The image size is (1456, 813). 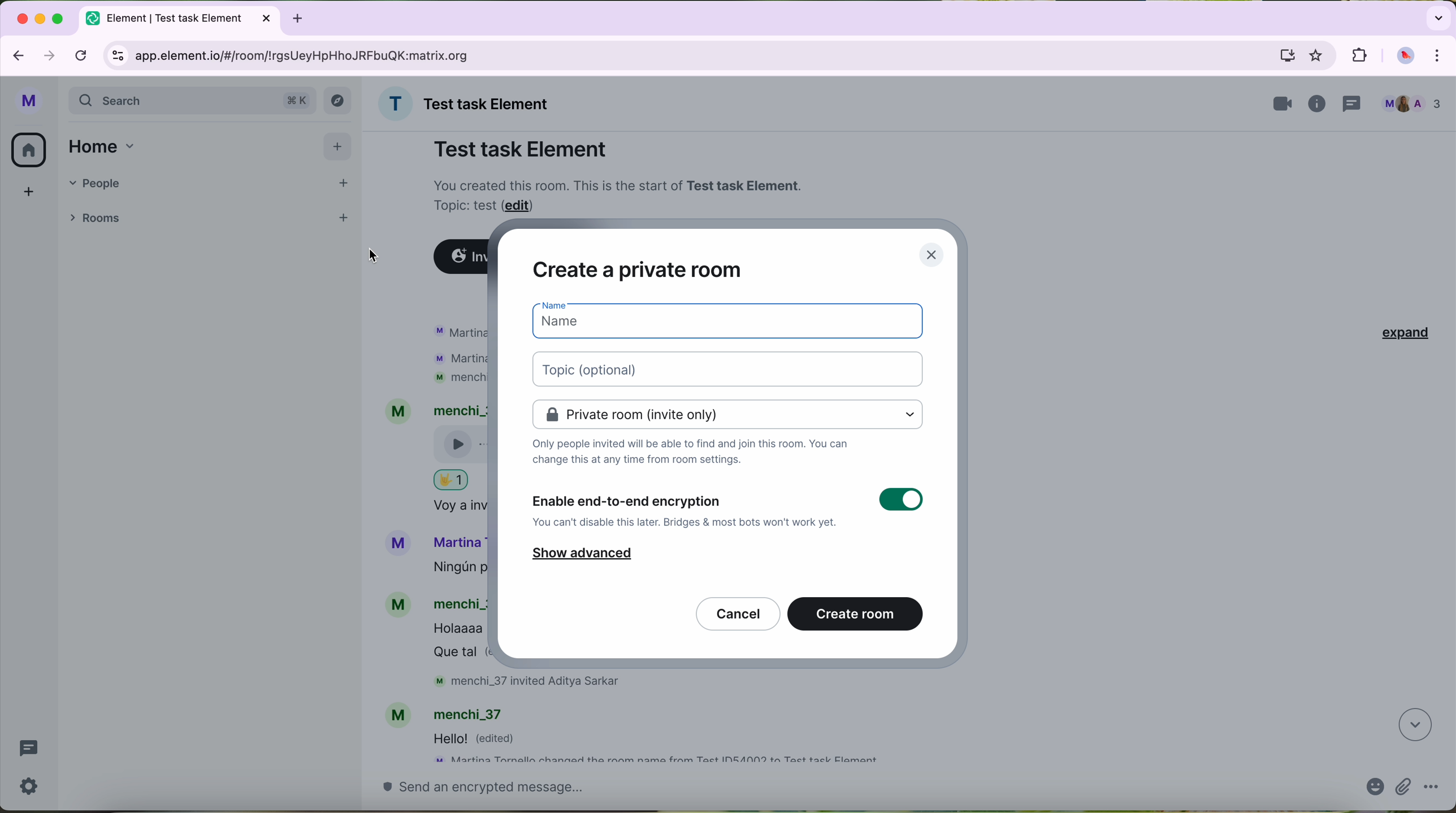 I want to click on refresh page, so click(x=82, y=54).